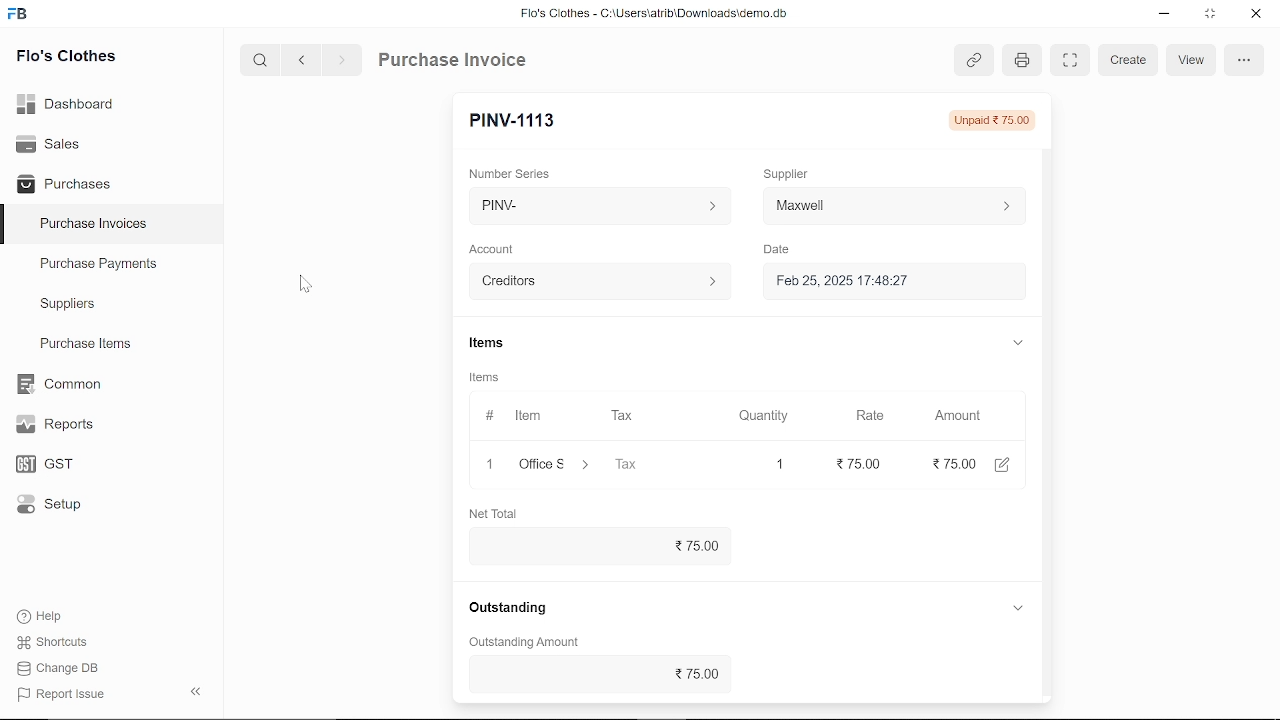 The width and height of the screenshot is (1280, 720). What do you see at coordinates (68, 304) in the screenshot?
I see `Suppliers` at bounding box center [68, 304].